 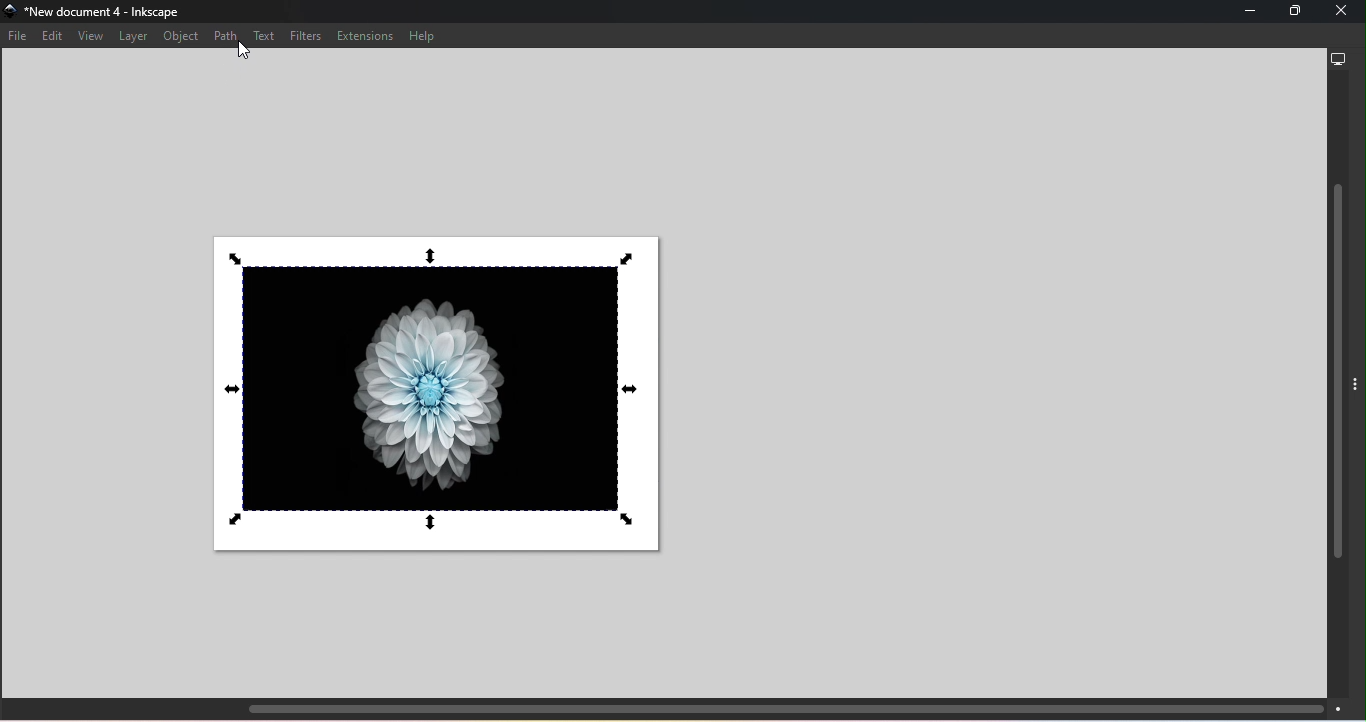 What do you see at coordinates (88, 36) in the screenshot?
I see `View` at bounding box center [88, 36].